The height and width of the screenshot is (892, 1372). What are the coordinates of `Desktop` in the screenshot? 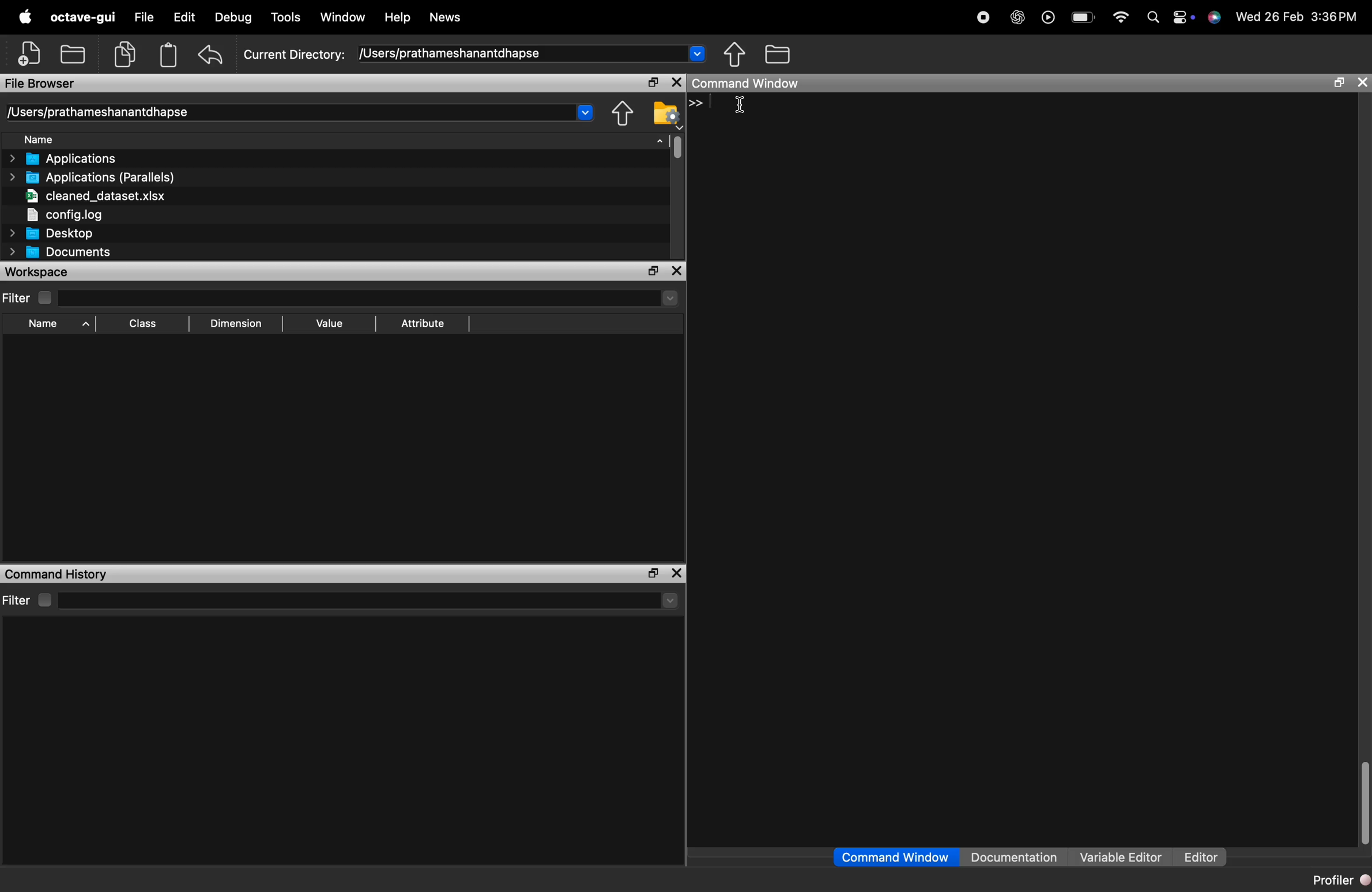 It's located at (66, 233).